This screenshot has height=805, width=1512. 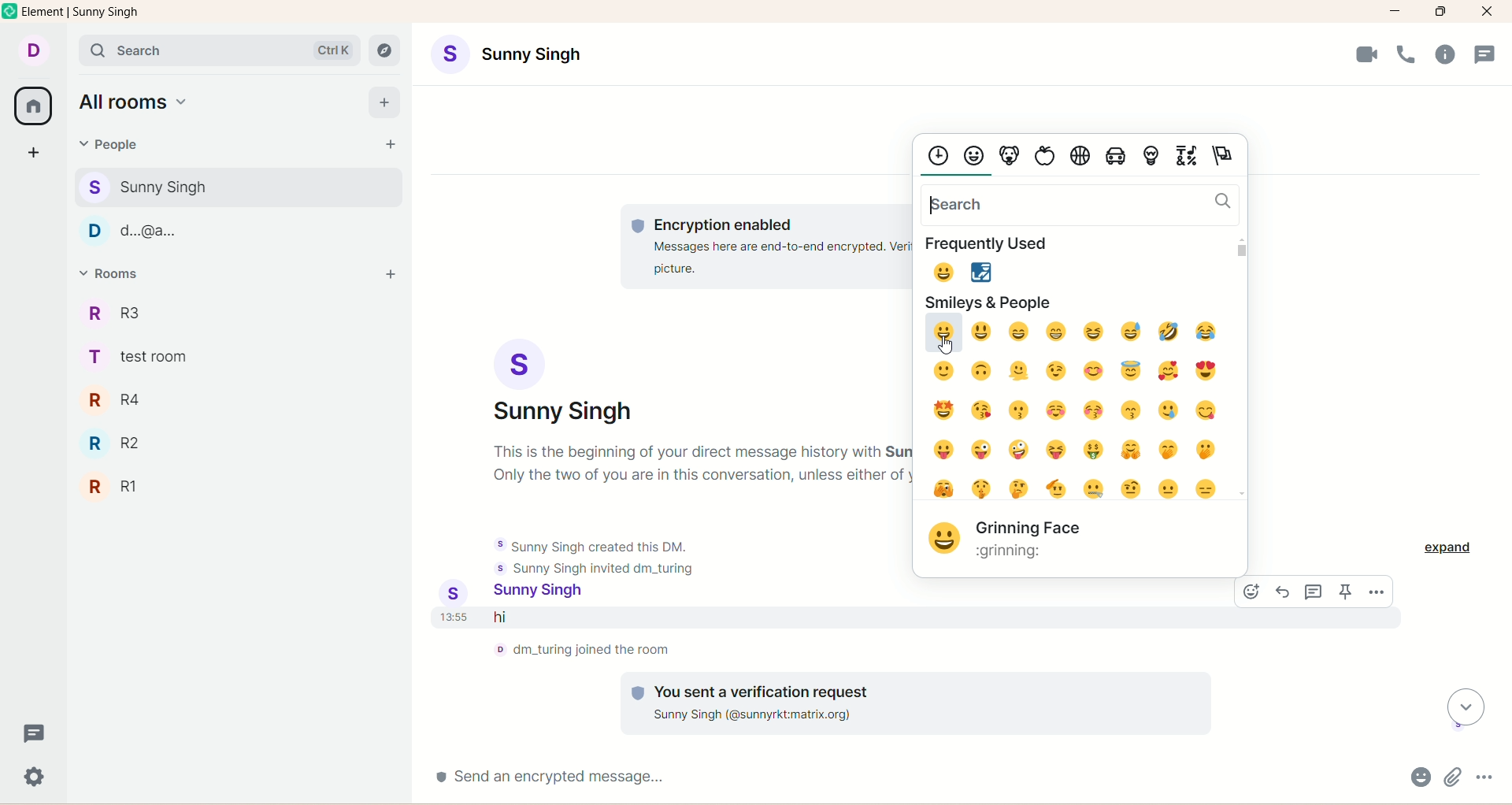 What do you see at coordinates (1095, 489) in the screenshot?
I see `Zipper-mouth face` at bounding box center [1095, 489].